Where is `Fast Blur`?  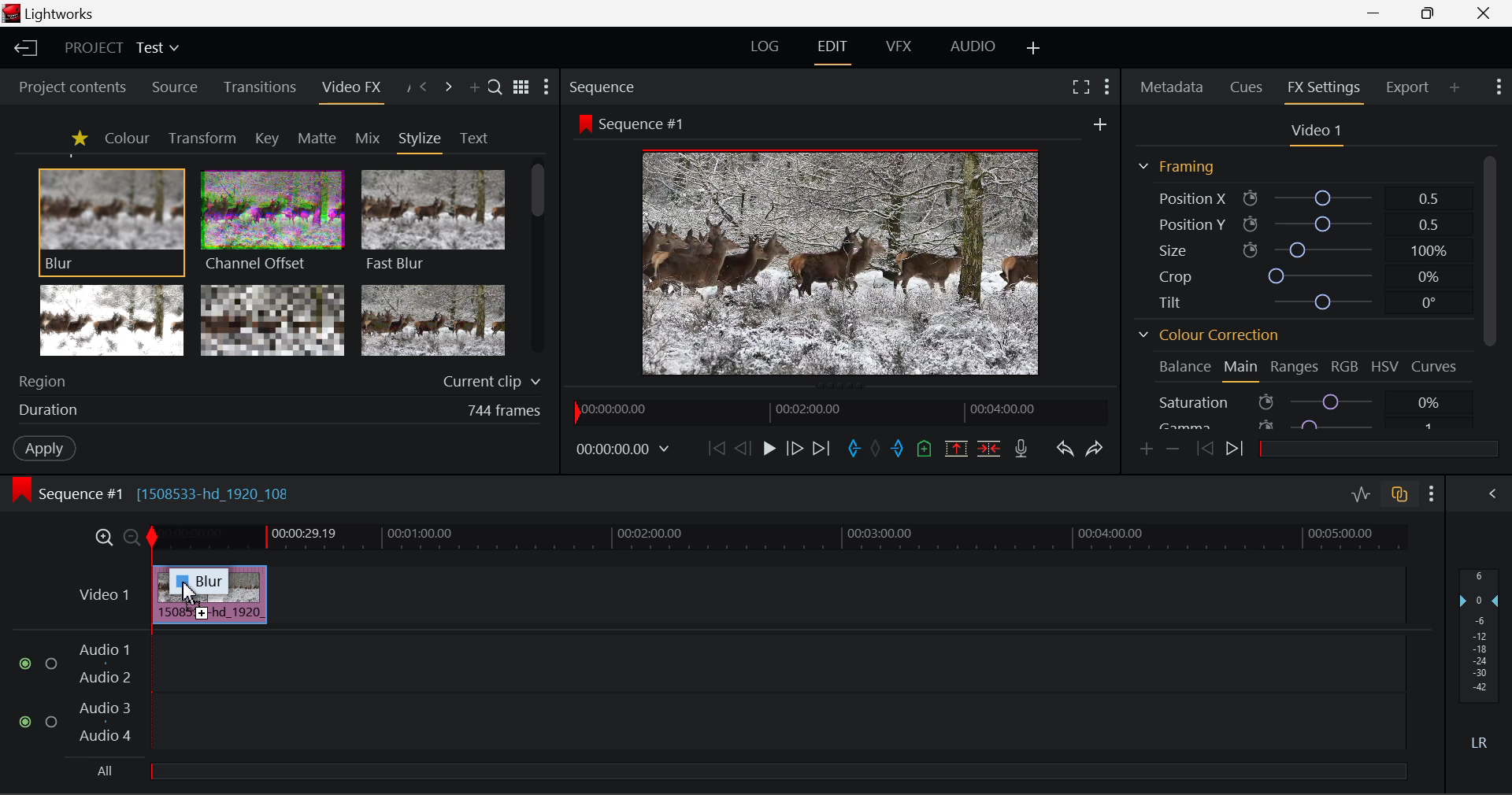
Fast Blur is located at coordinates (431, 218).